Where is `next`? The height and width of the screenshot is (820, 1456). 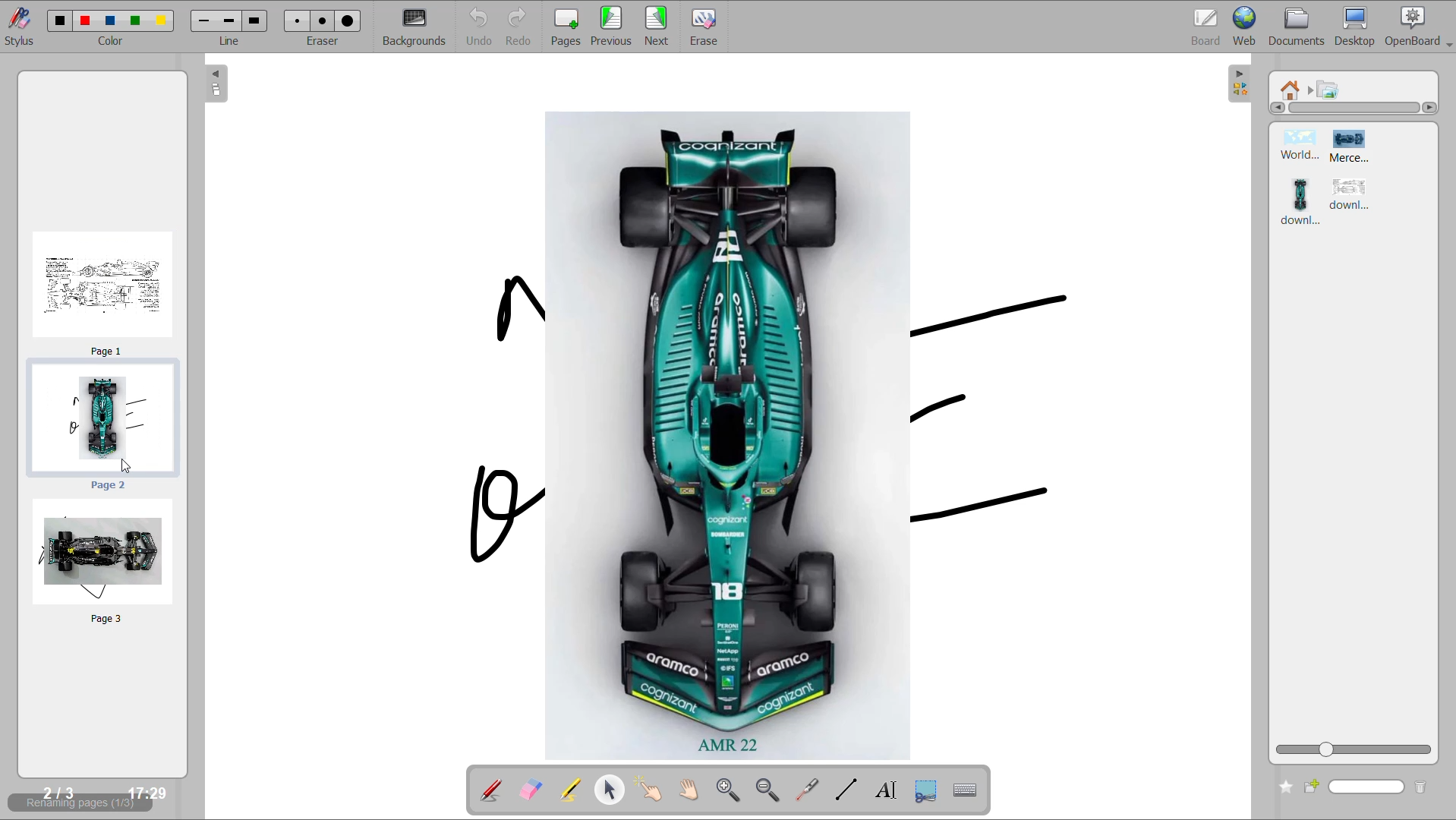
next is located at coordinates (659, 27).